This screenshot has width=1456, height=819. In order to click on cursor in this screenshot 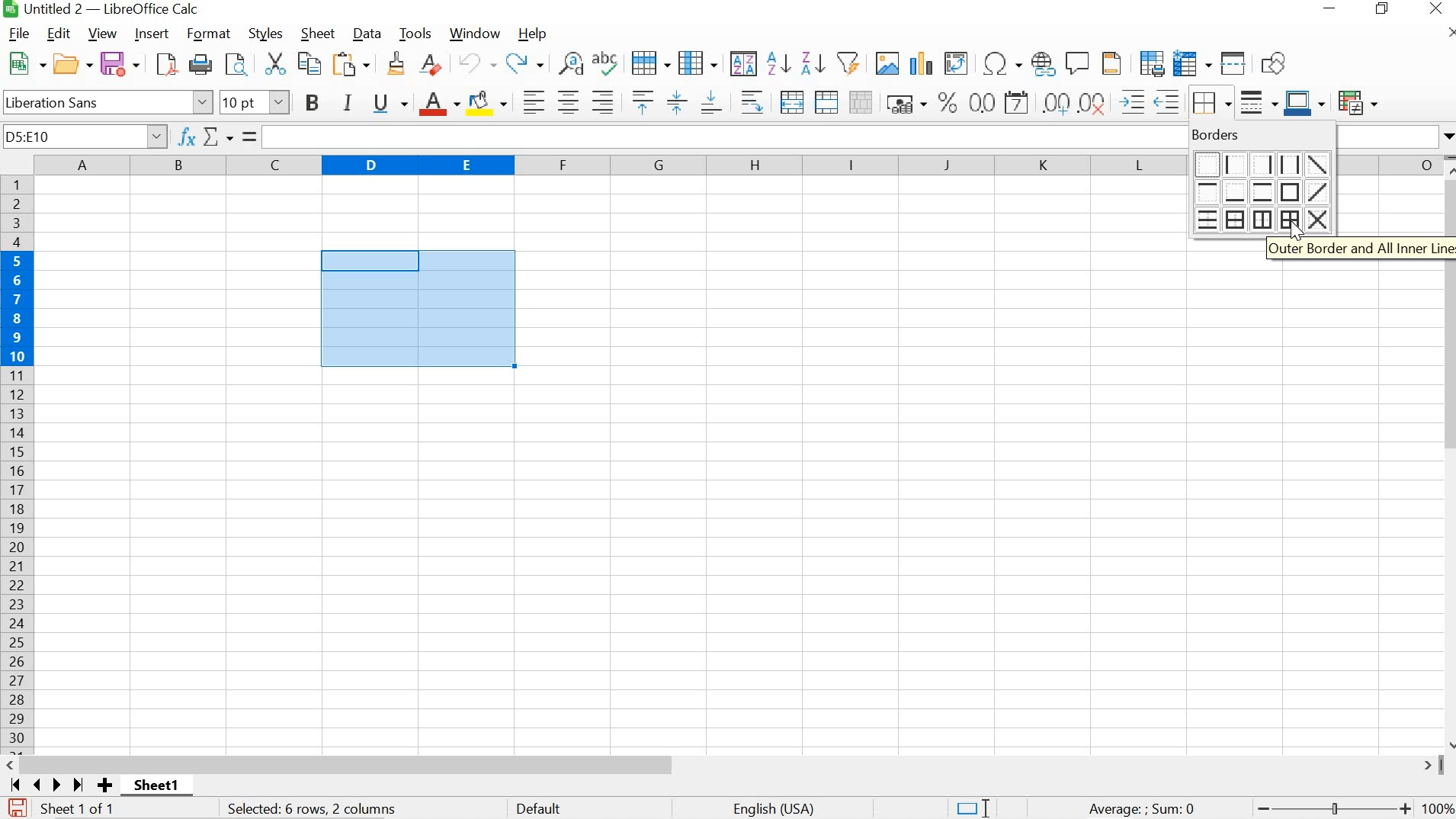, I will do `click(1295, 234)`.